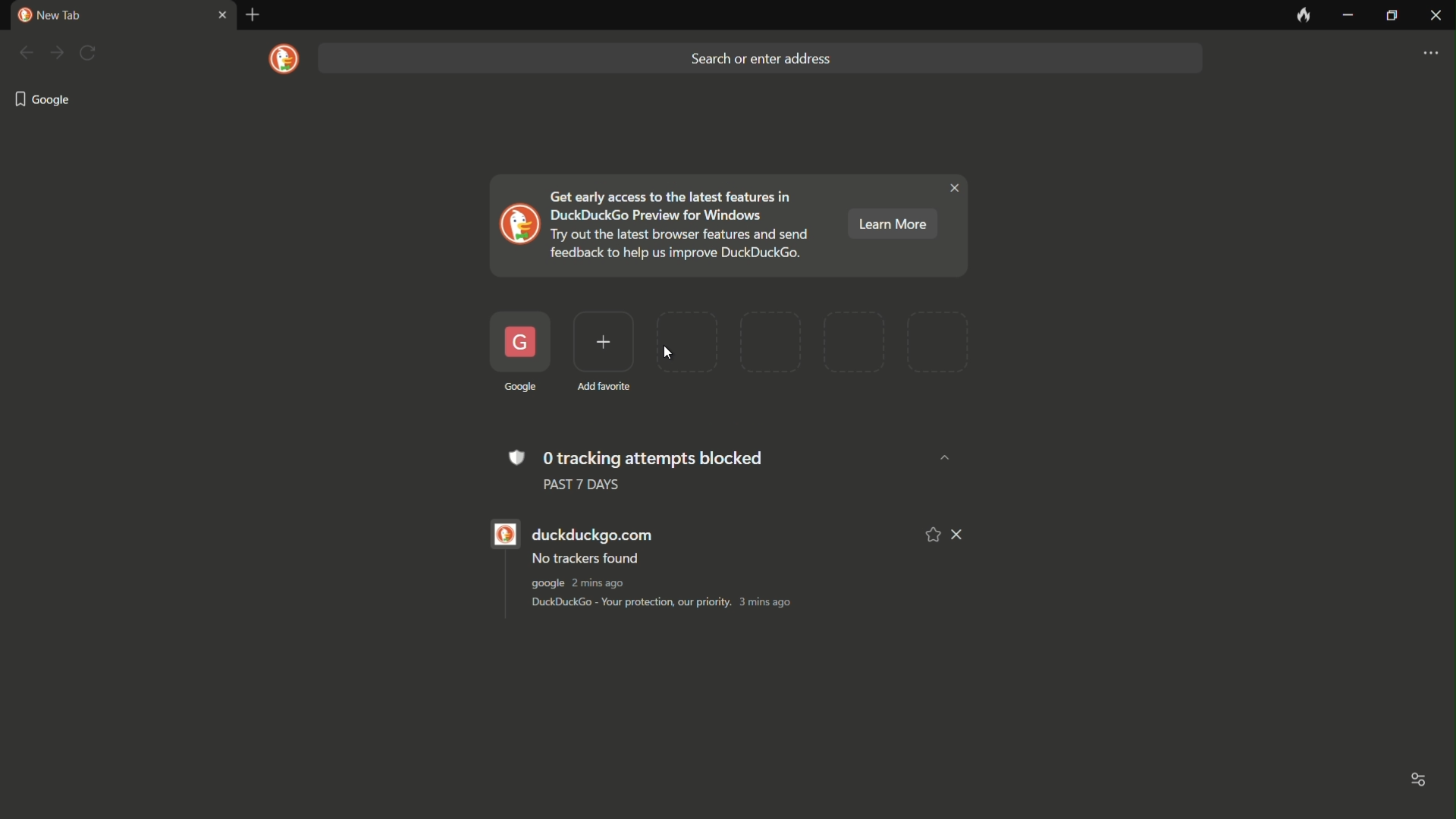 The width and height of the screenshot is (1456, 819). What do you see at coordinates (602, 354) in the screenshot?
I see `add favorite` at bounding box center [602, 354].